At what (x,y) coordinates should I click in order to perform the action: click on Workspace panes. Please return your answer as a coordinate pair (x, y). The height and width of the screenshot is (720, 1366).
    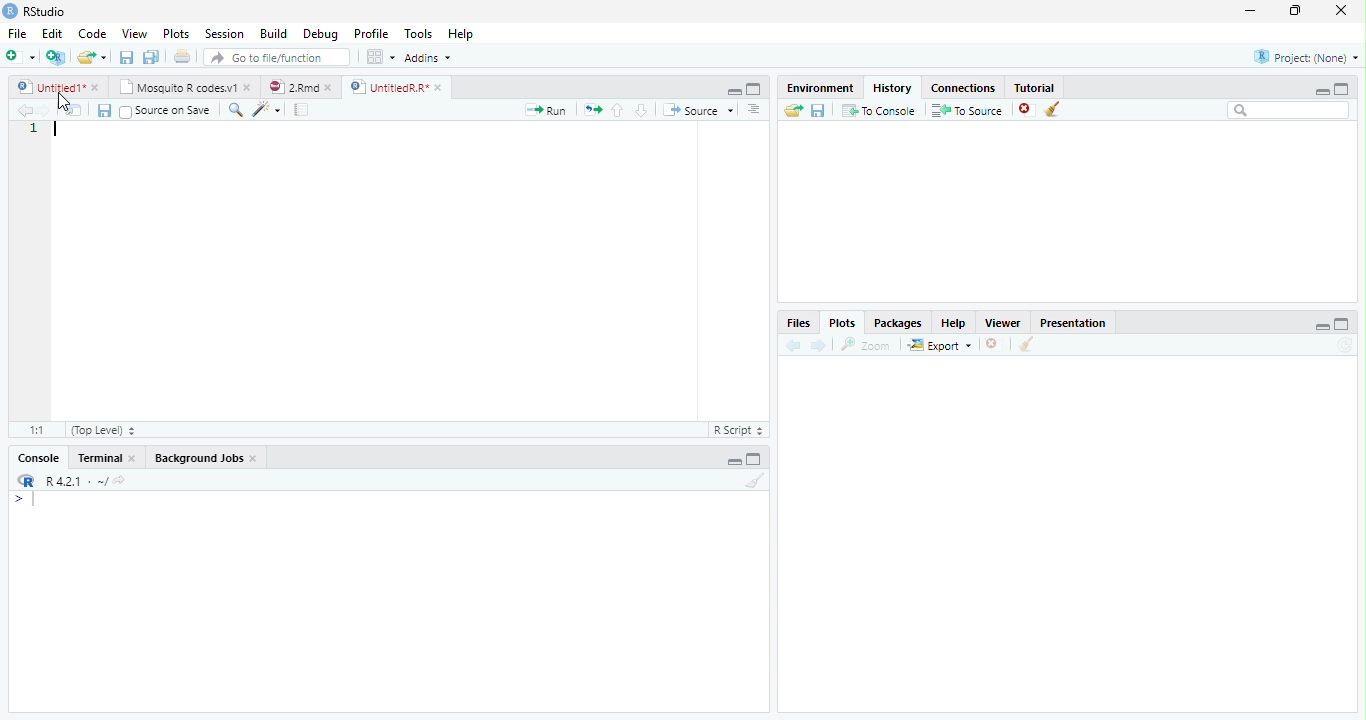
    Looking at the image, I should click on (378, 56).